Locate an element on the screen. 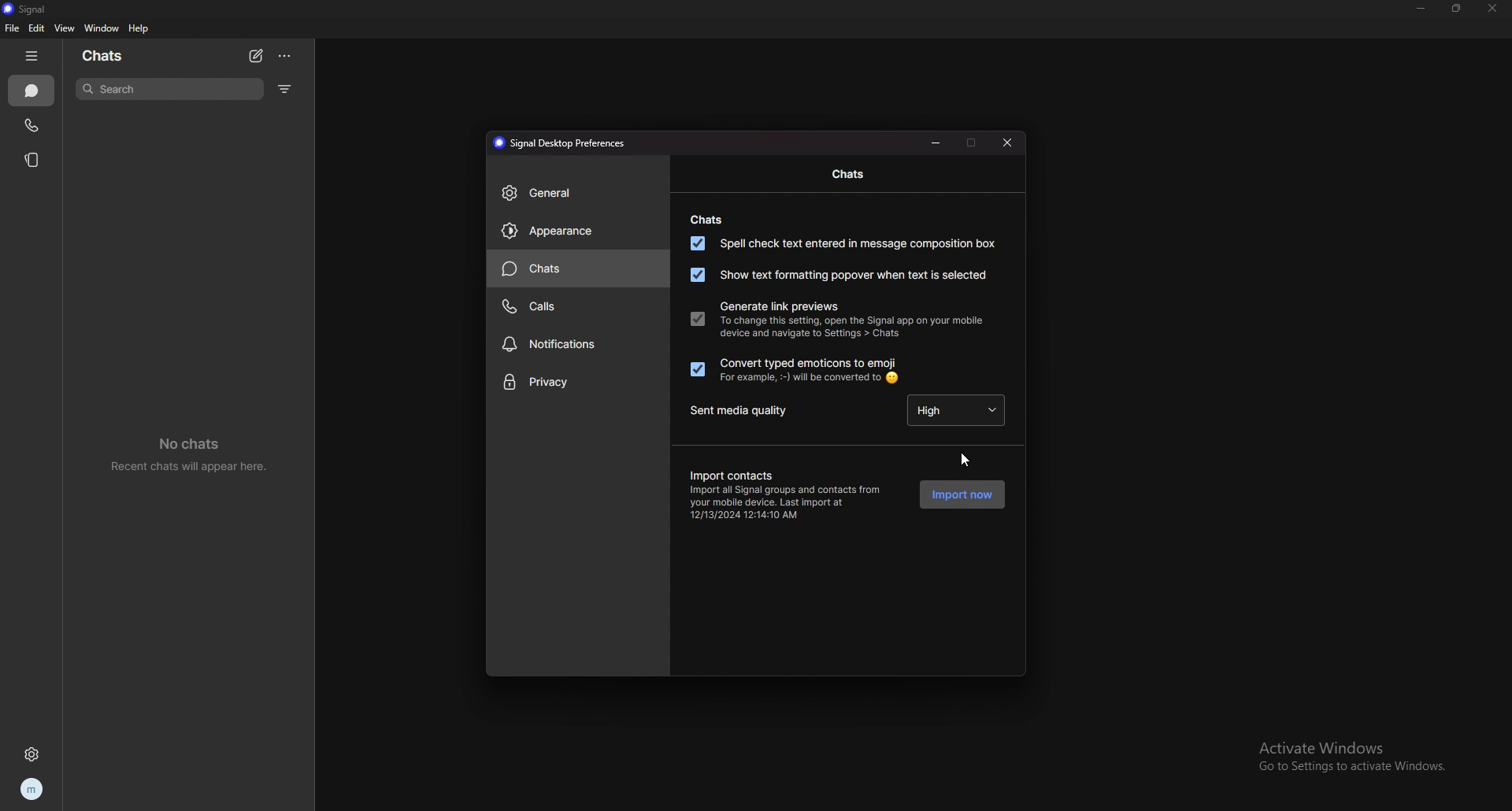 The width and height of the screenshot is (1512, 811). minimize is located at coordinates (1421, 8).